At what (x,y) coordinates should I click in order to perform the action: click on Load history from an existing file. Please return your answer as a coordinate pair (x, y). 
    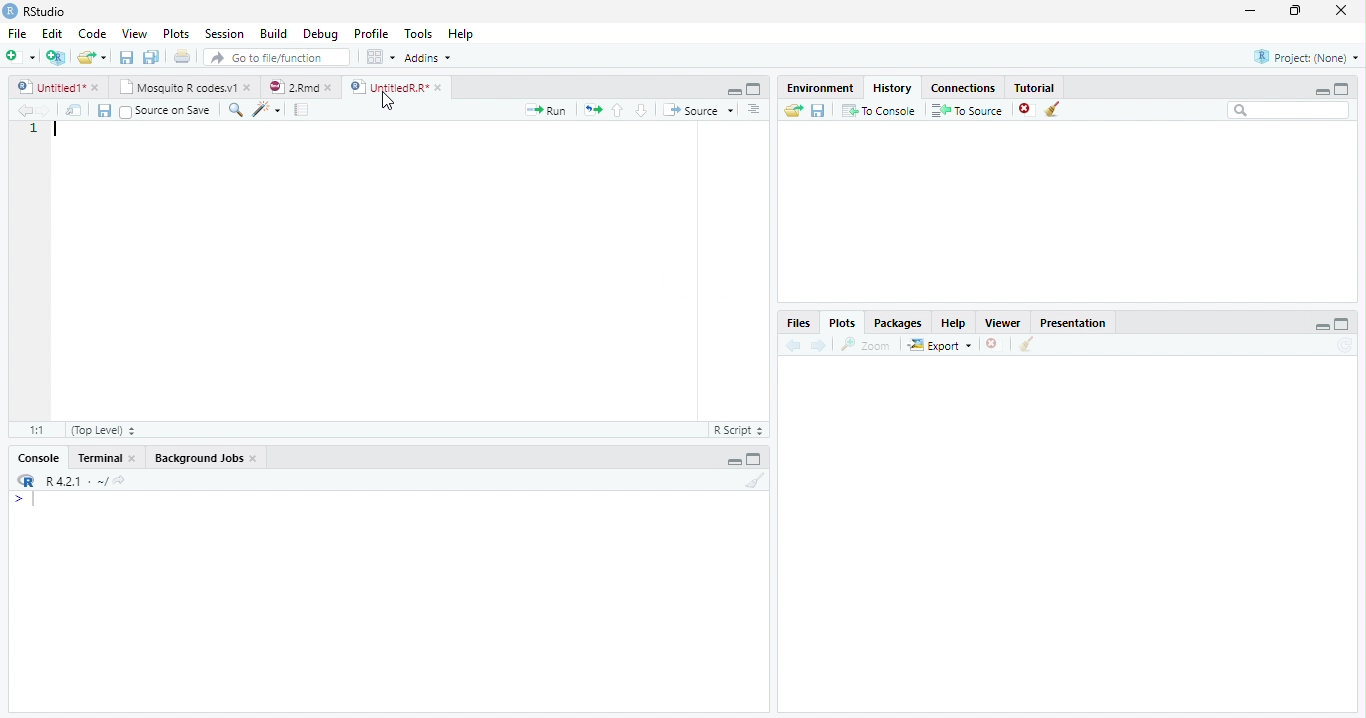
    Looking at the image, I should click on (793, 110).